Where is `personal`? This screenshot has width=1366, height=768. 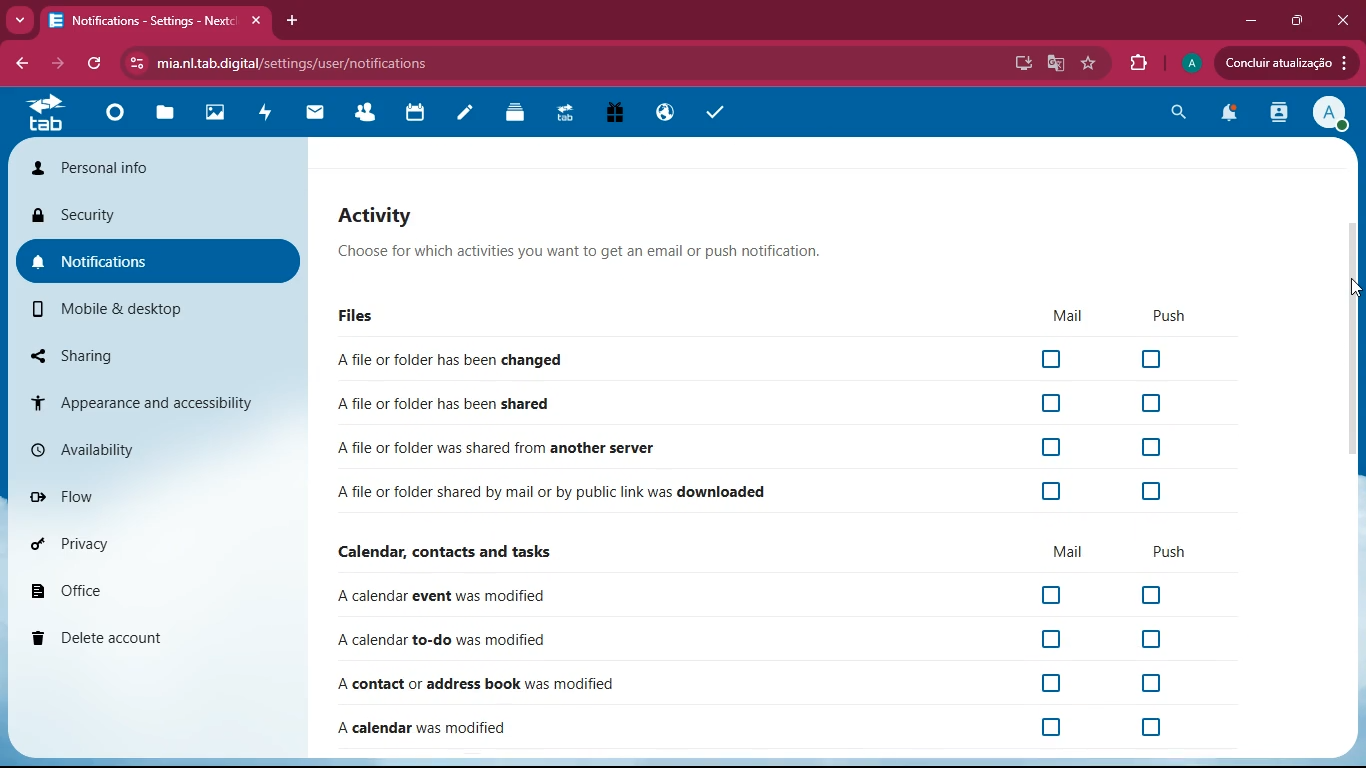 personal is located at coordinates (160, 167).